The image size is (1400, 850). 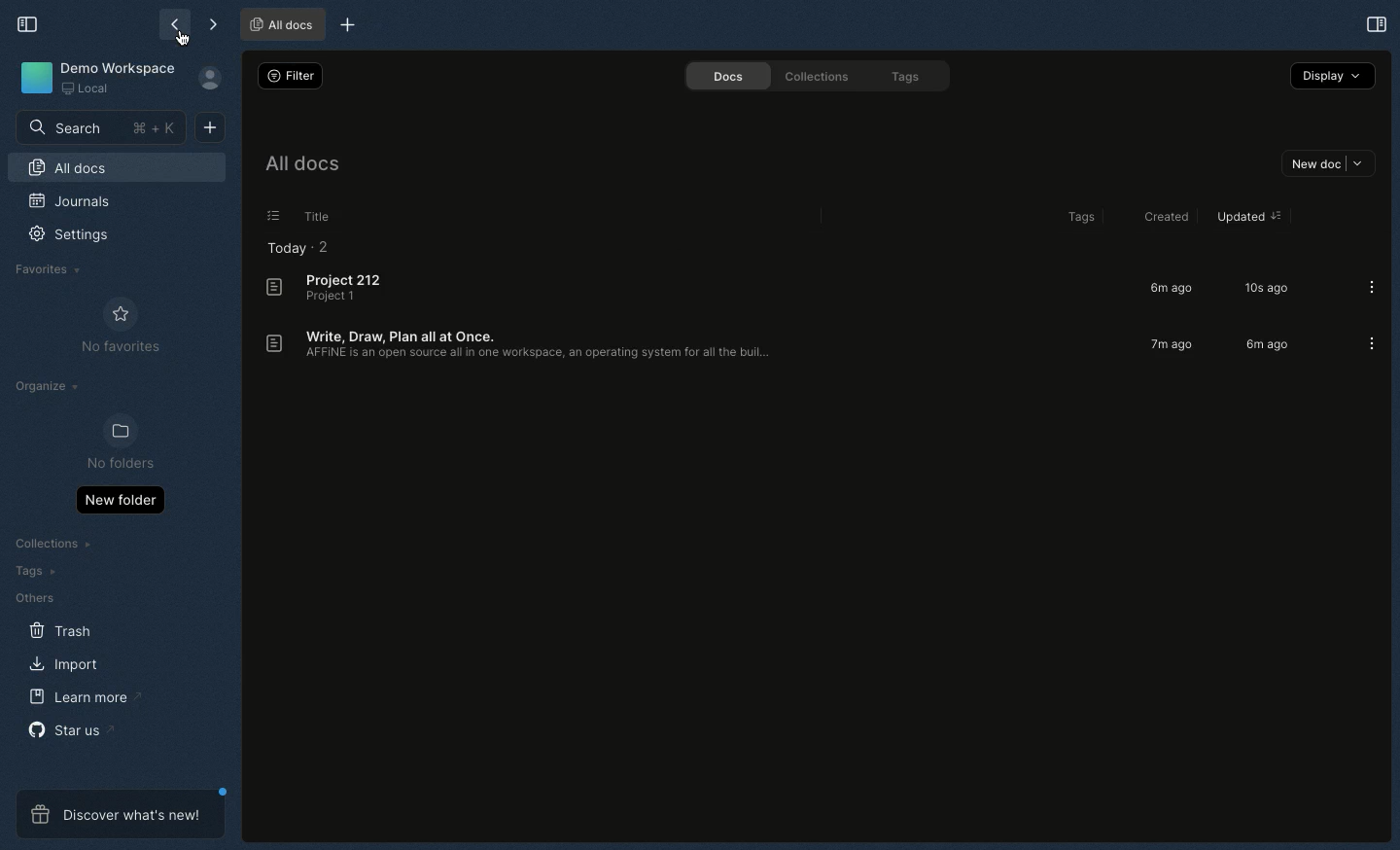 I want to click on Demo workspace, so click(x=89, y=65).